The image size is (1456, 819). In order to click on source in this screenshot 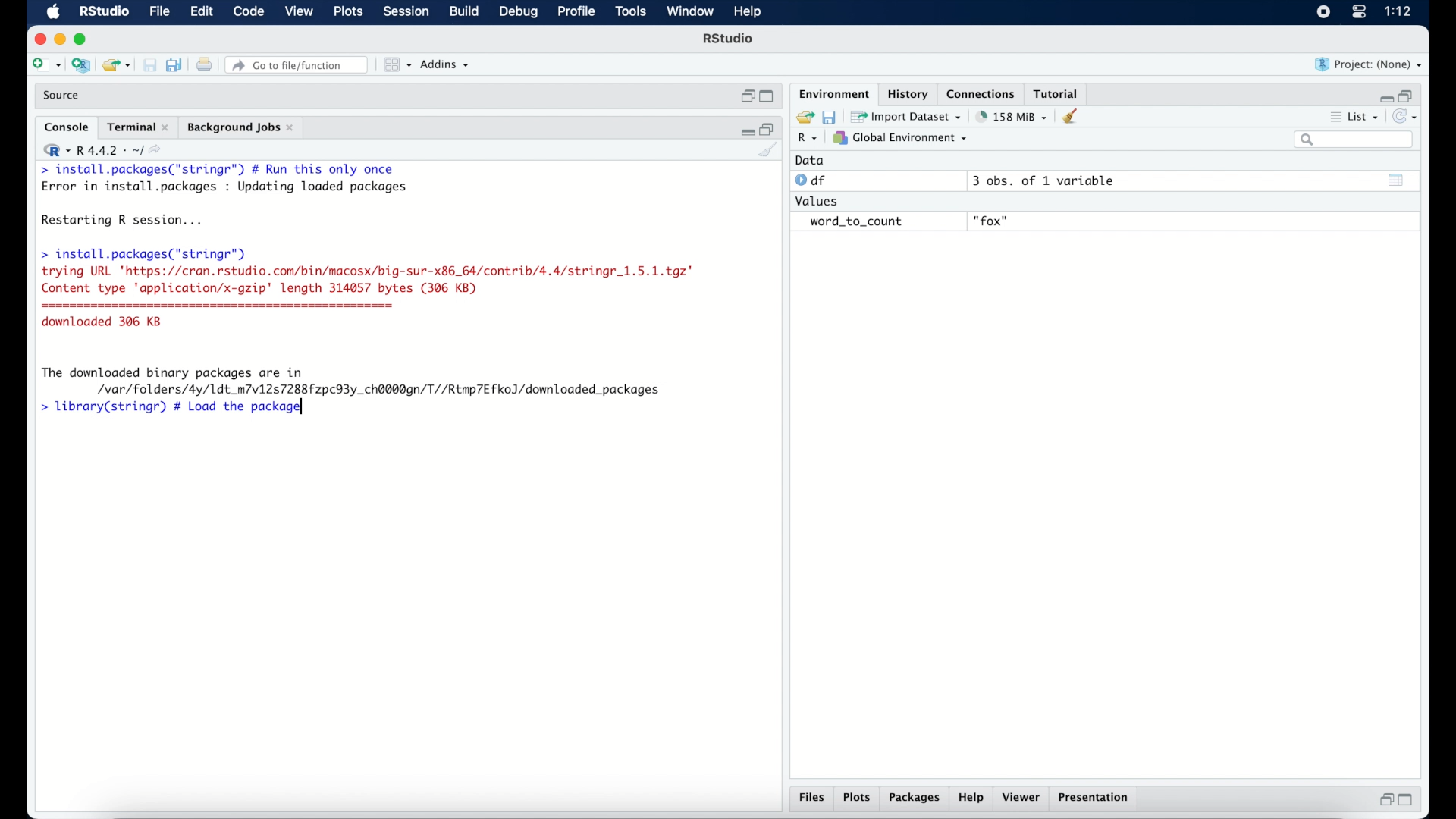, I will do `click(63, 96)`.